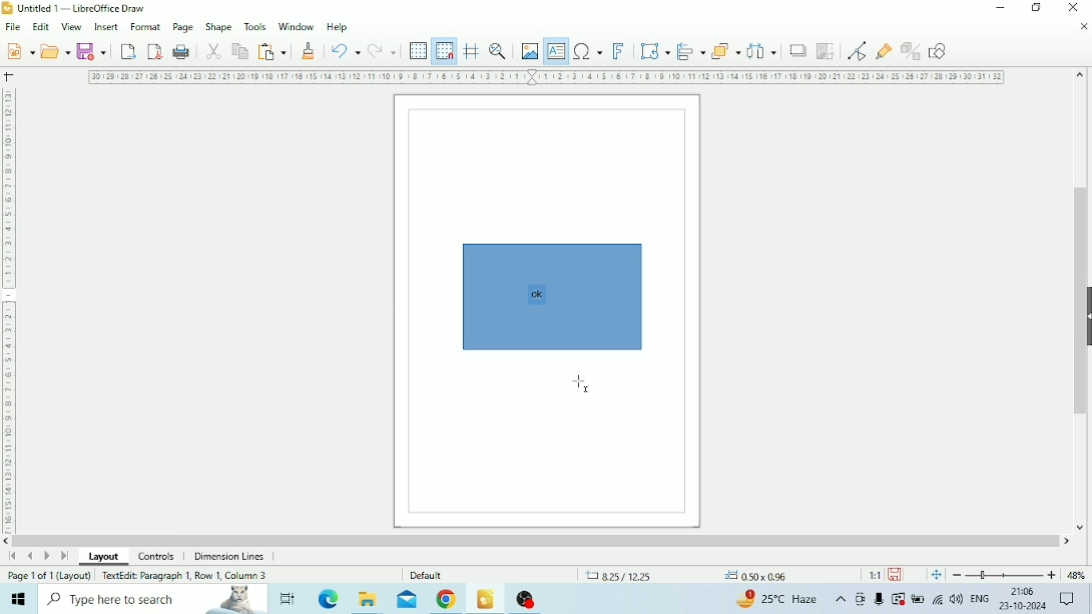 This screenshot has width=1092, height=614. What do you see at coordinates (8, 307) in the screenshot?
I see `Vertical scale` at bounding box center [8, 307].